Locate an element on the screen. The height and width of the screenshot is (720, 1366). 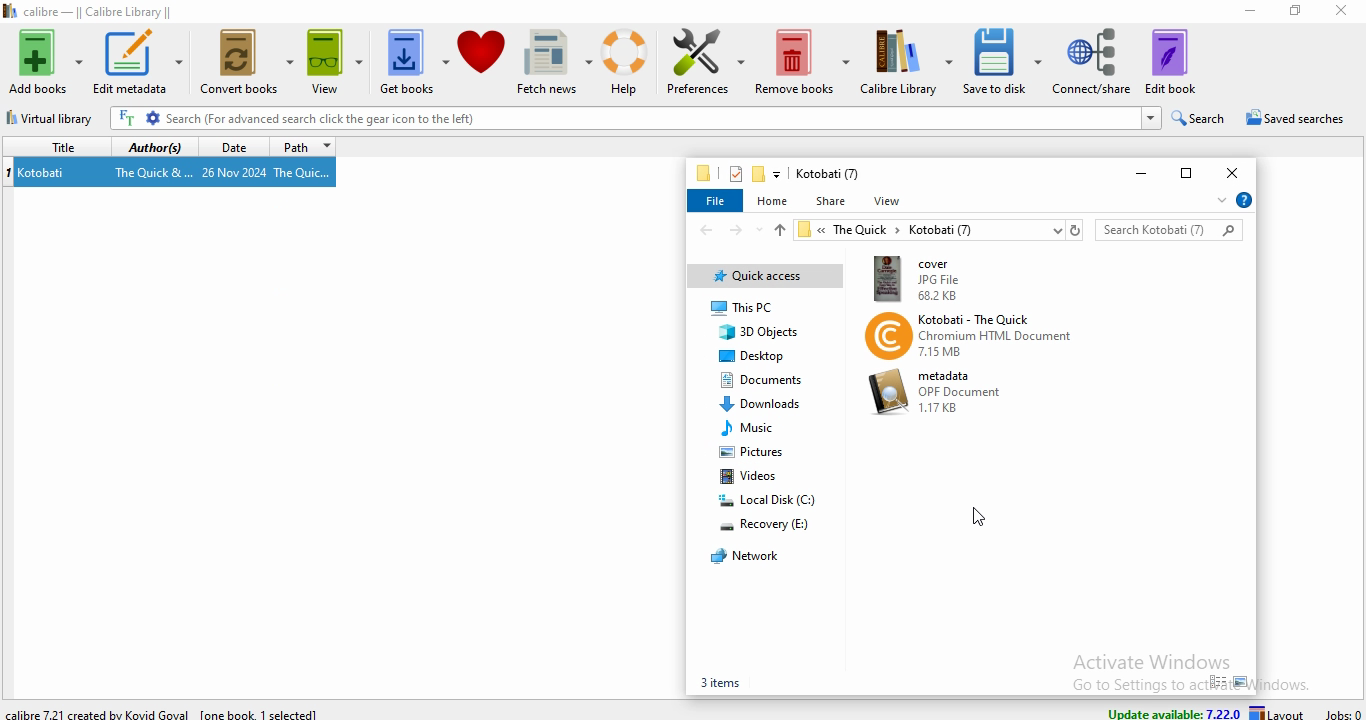
help is located at coordinates (624, 61).